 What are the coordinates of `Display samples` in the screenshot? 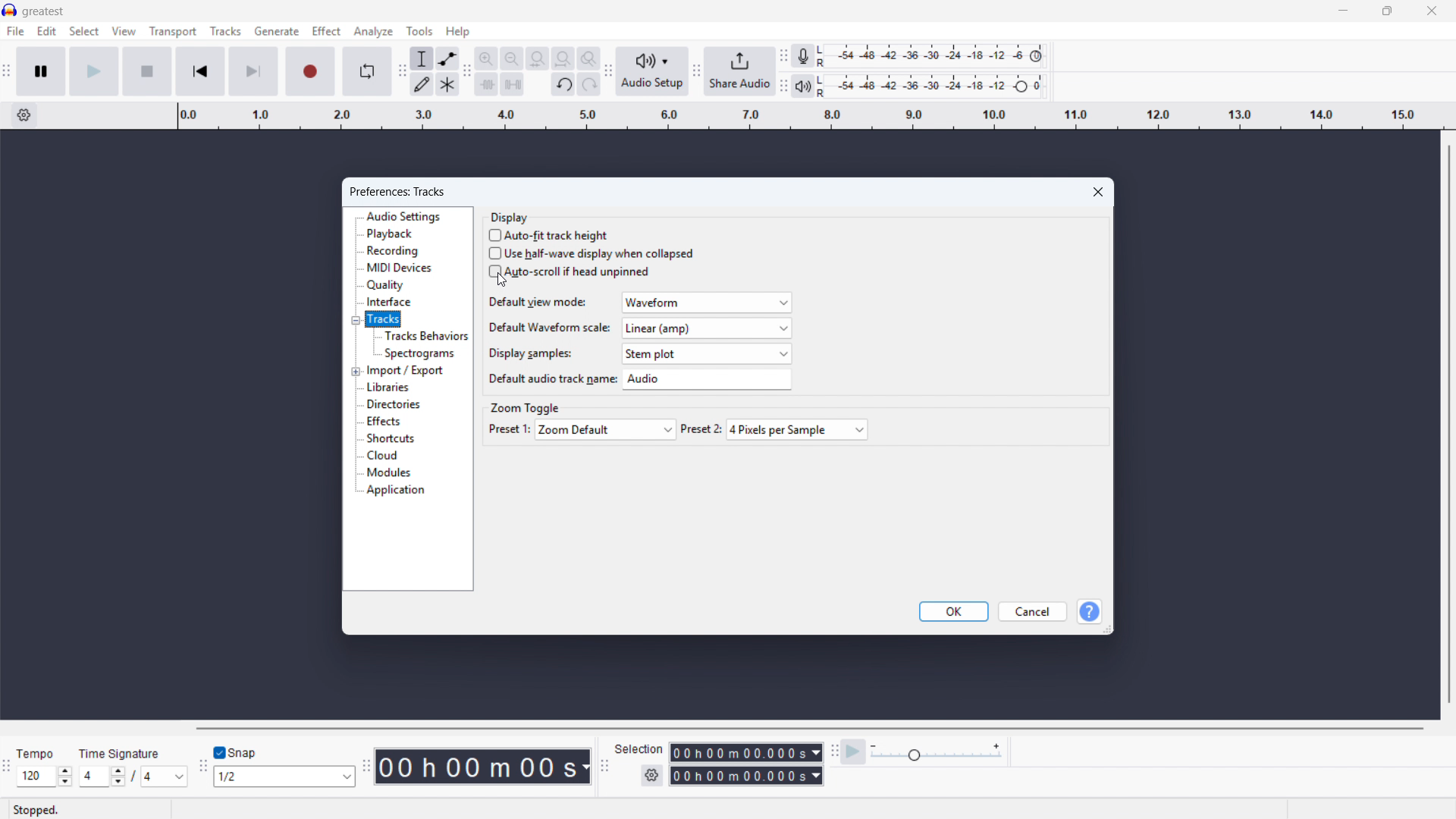 It's located at (527, 353).